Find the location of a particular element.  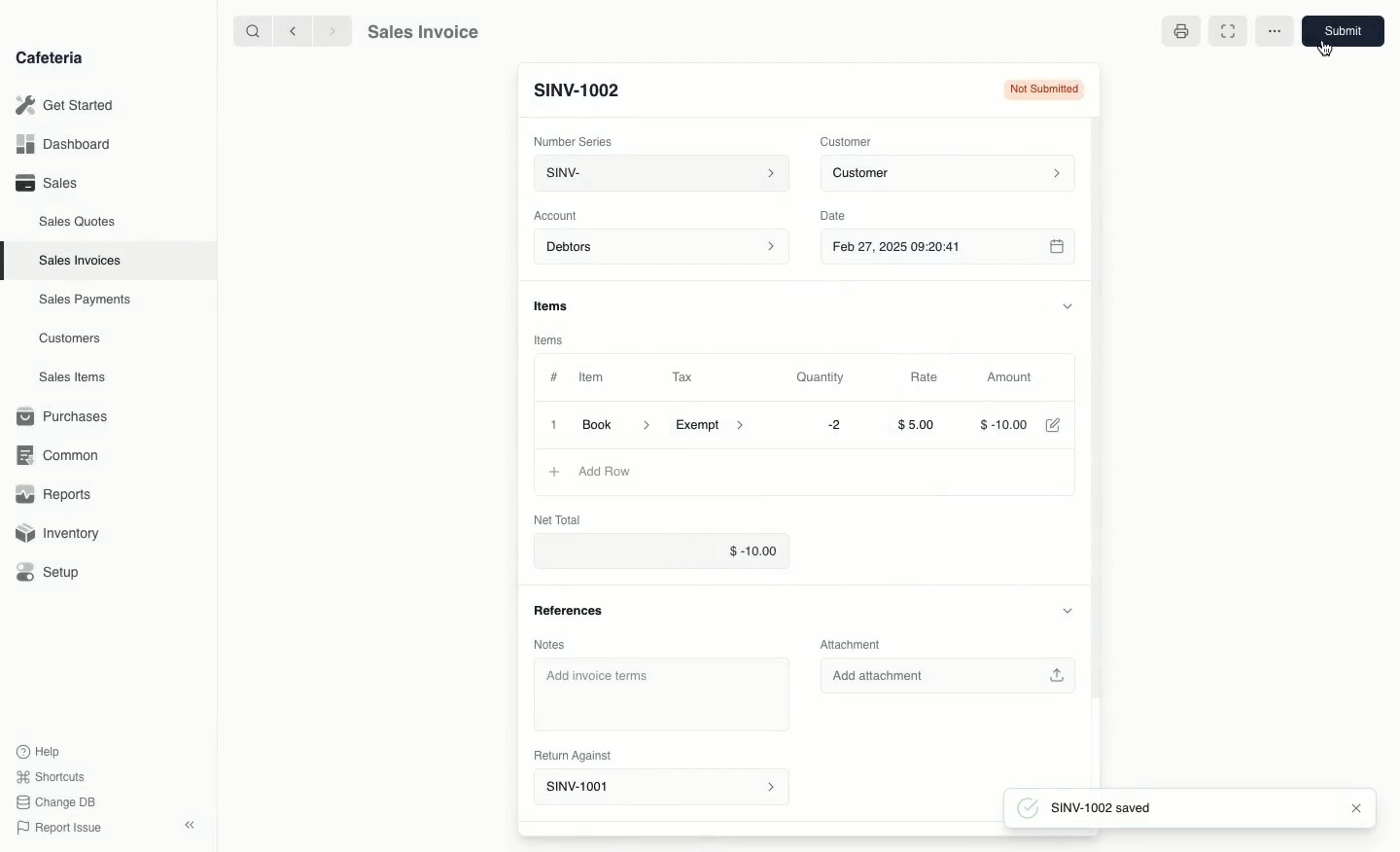

Sales Quotes is located at coordinates (78, 224).